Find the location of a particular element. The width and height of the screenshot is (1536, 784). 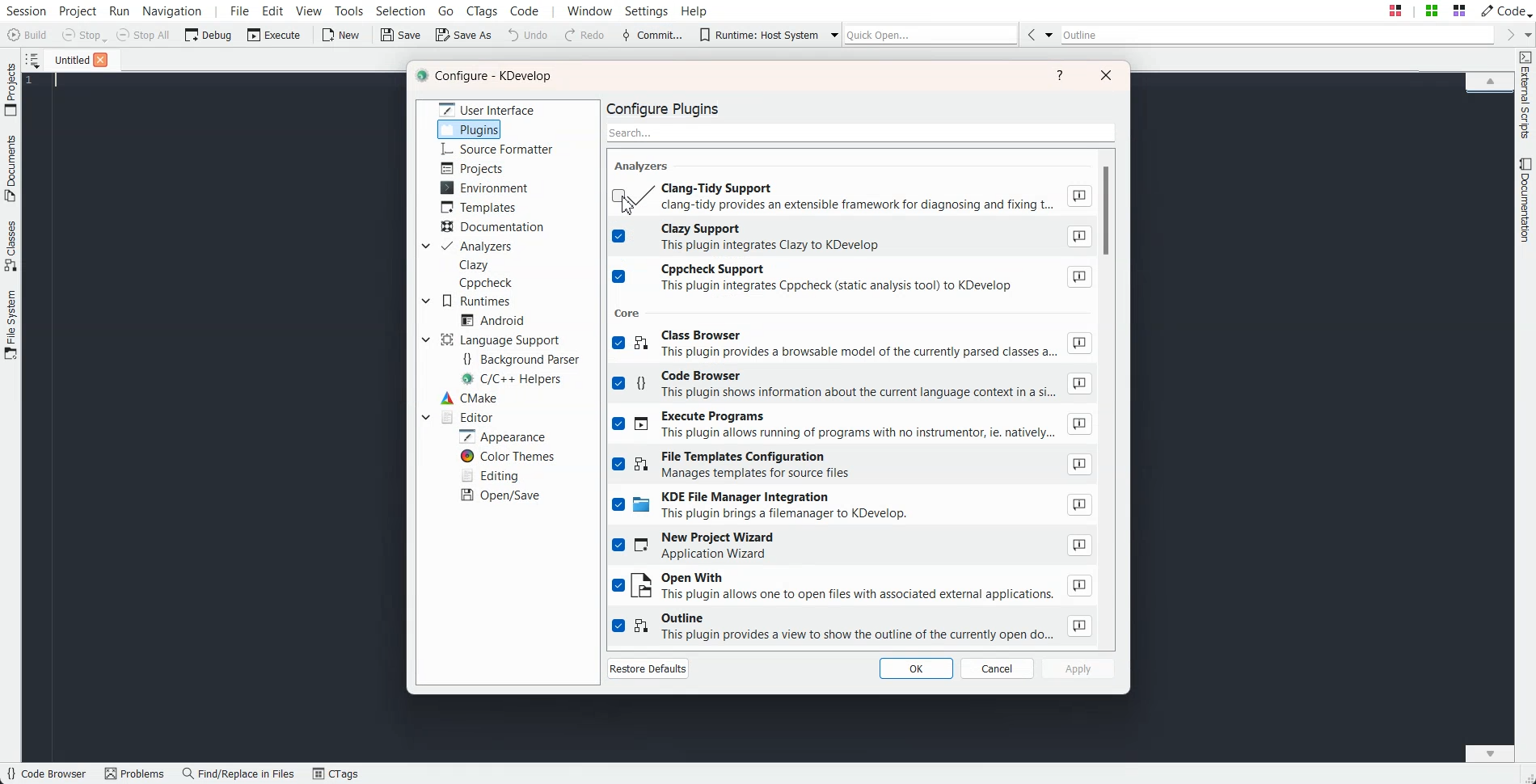

User Interface is located at coordinates (487, 108).